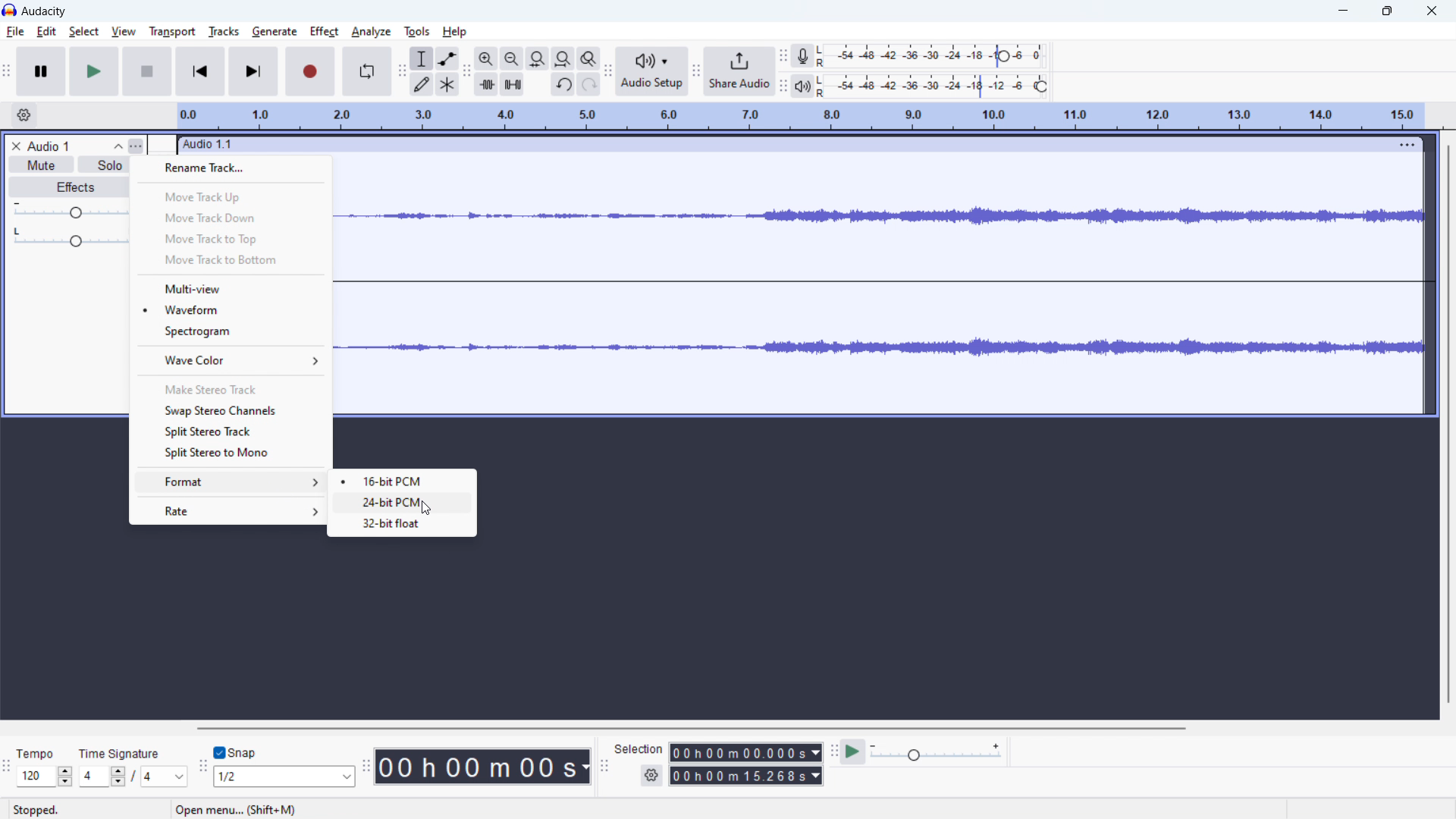  What do you see at coordinates (45, 11) in the screenshot?
I see `title` at bounding box center [45, 11].